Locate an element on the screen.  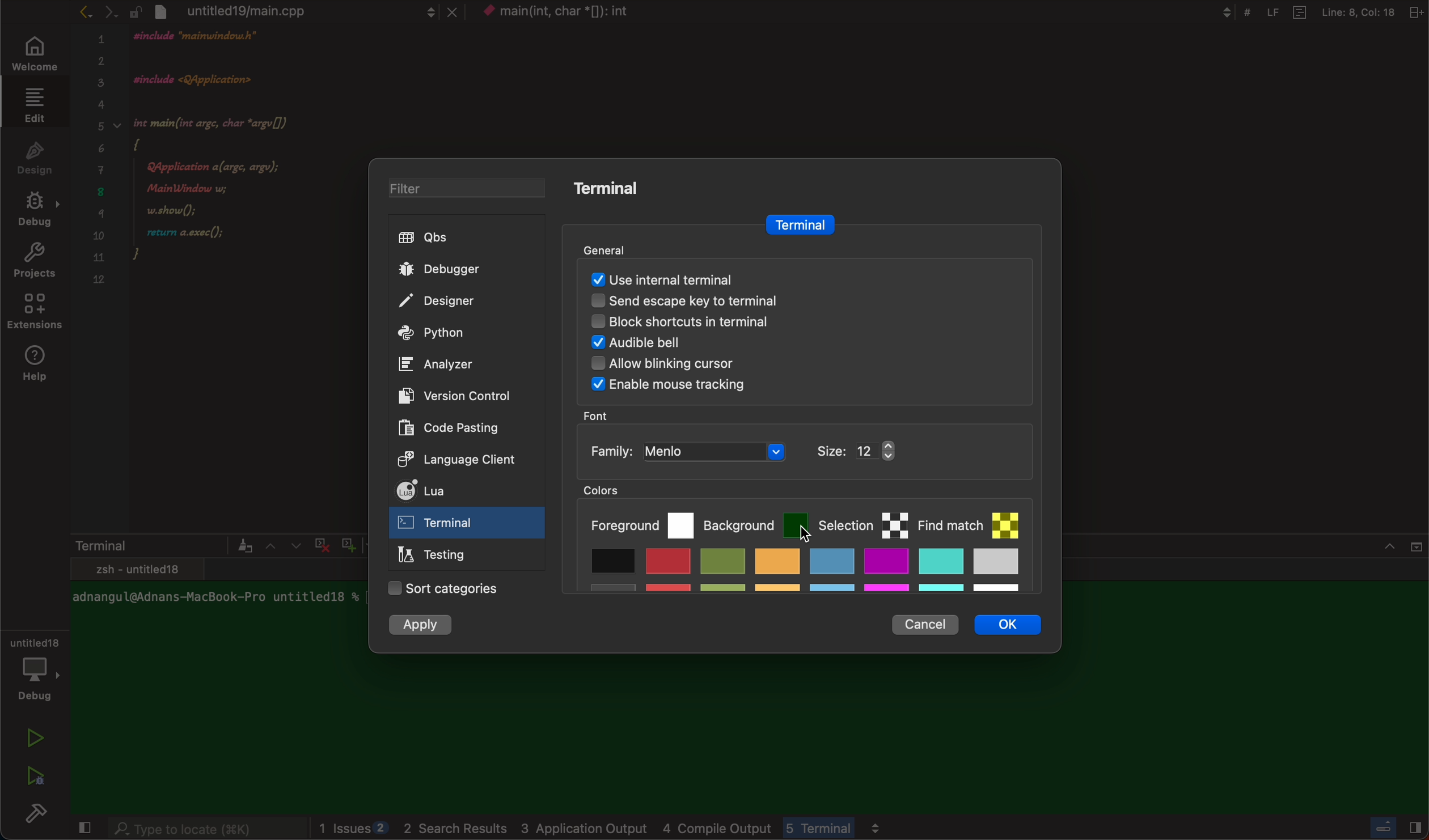
run and debug is located at coordinates (34, 775).